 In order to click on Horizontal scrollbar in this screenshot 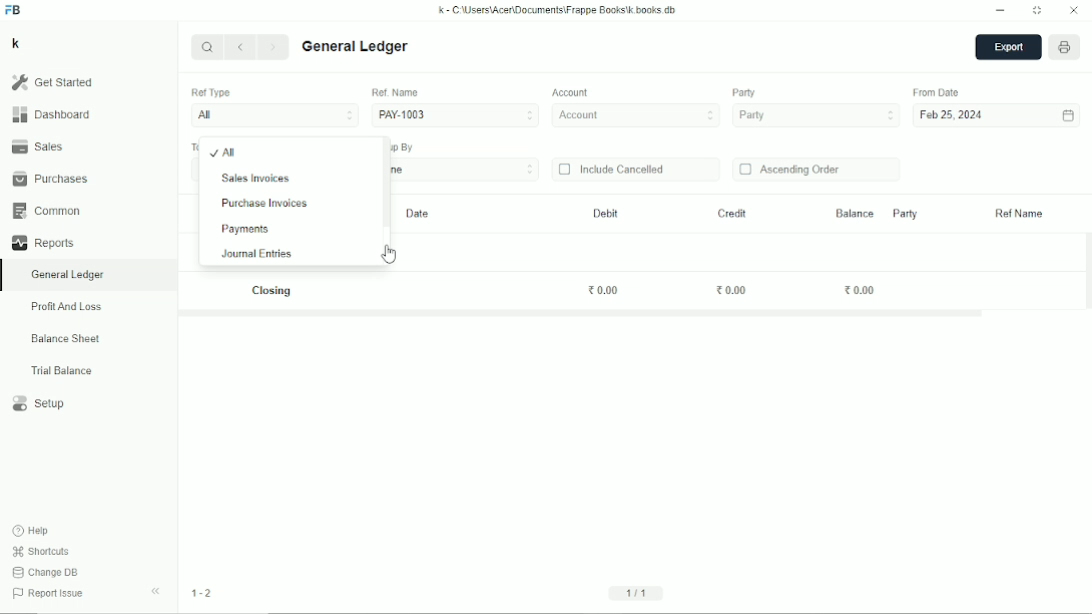, I will do `click(582, 314)`.